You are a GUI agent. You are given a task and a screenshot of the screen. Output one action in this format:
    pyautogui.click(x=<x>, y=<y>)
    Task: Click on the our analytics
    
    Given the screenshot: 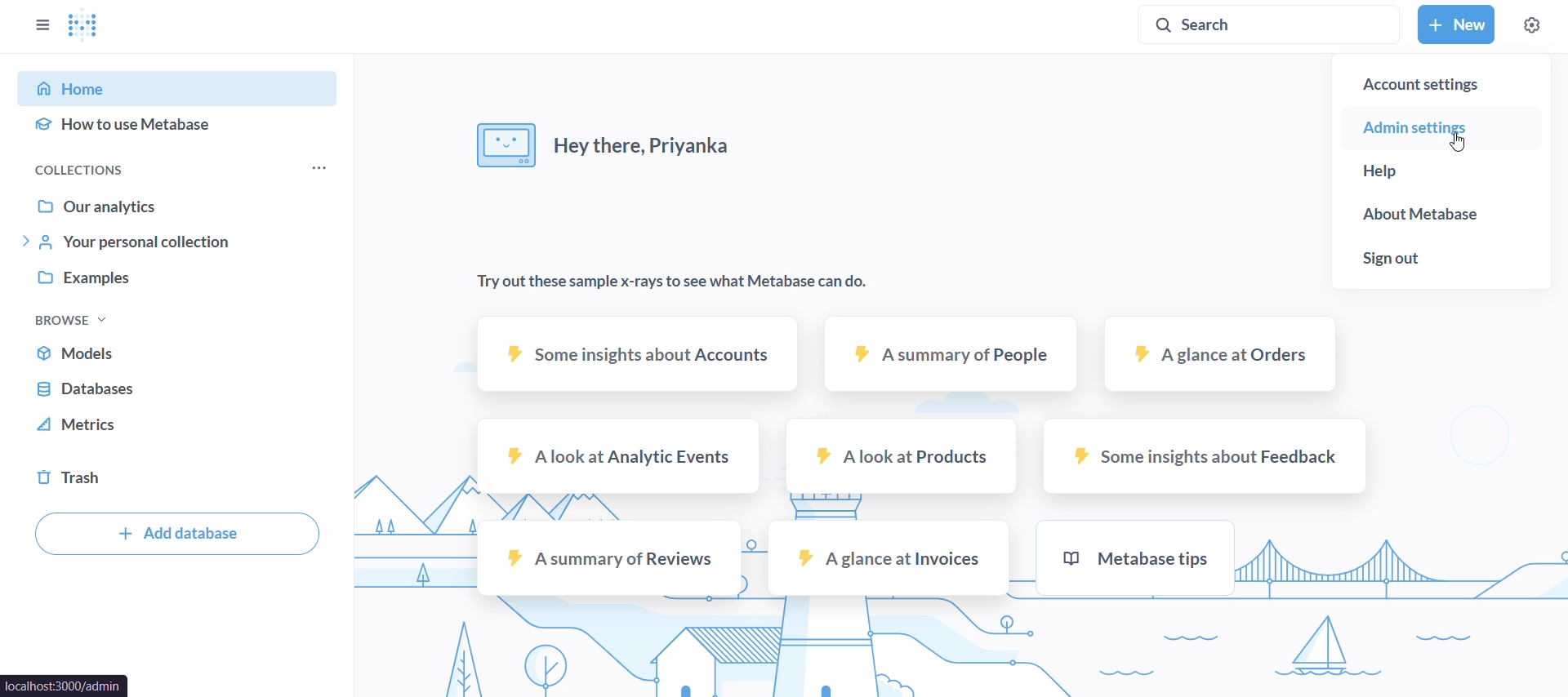 What is the action you would take?
    pyautogui.click(x=179, y=206)
    